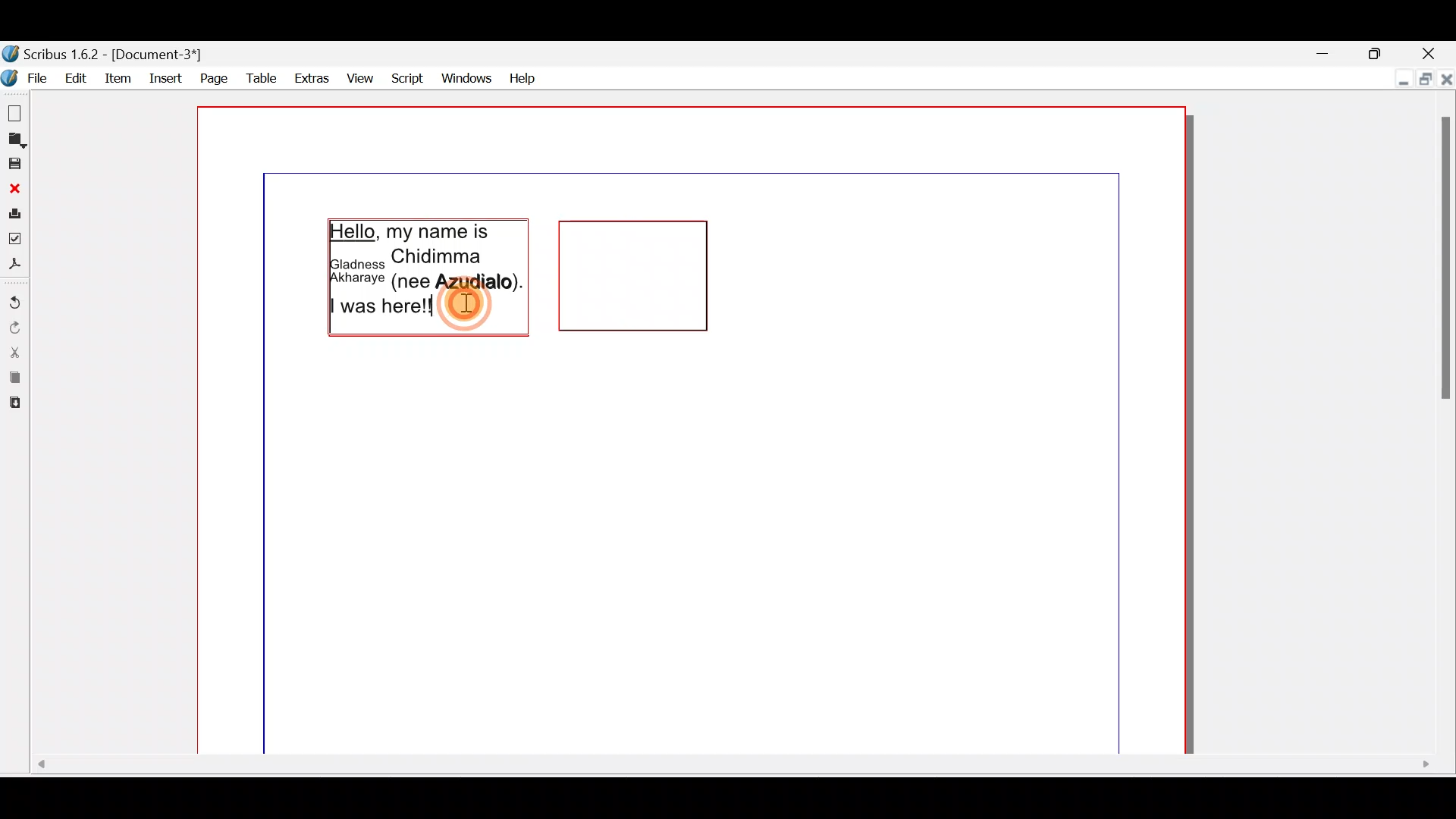  I want to click on Undo, so click(15, 297).